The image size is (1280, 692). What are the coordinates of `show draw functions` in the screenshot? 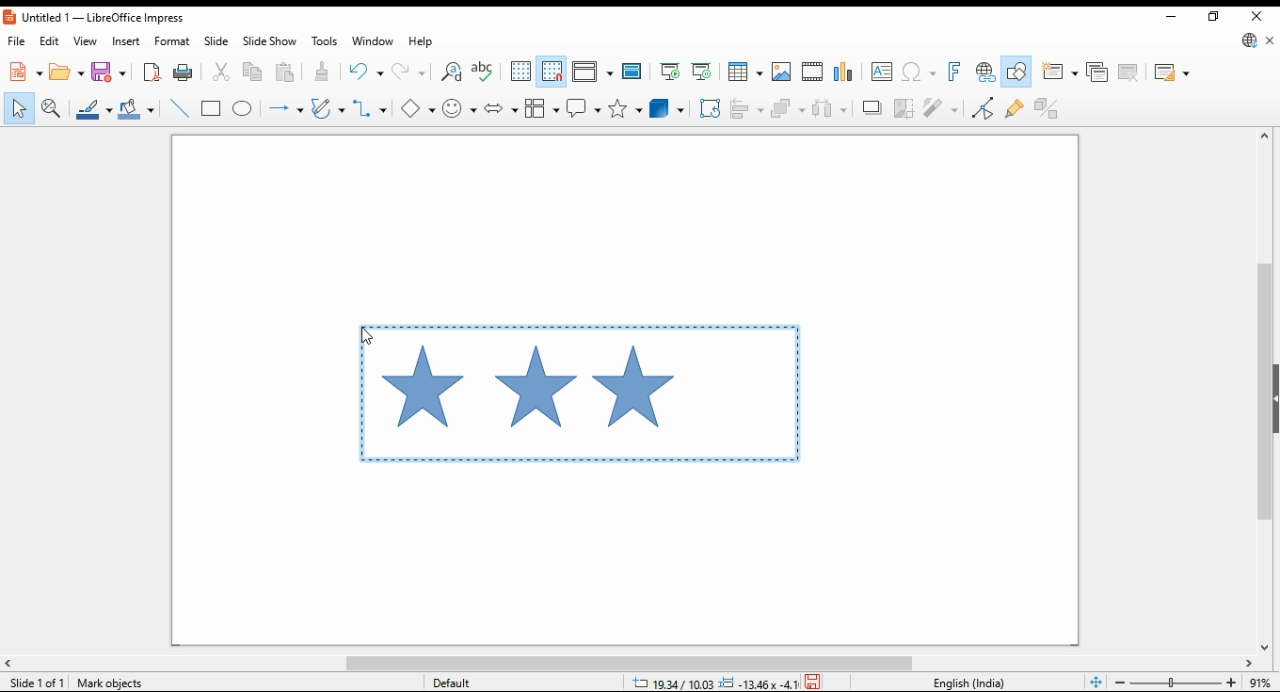 It's located at (1015, 71).